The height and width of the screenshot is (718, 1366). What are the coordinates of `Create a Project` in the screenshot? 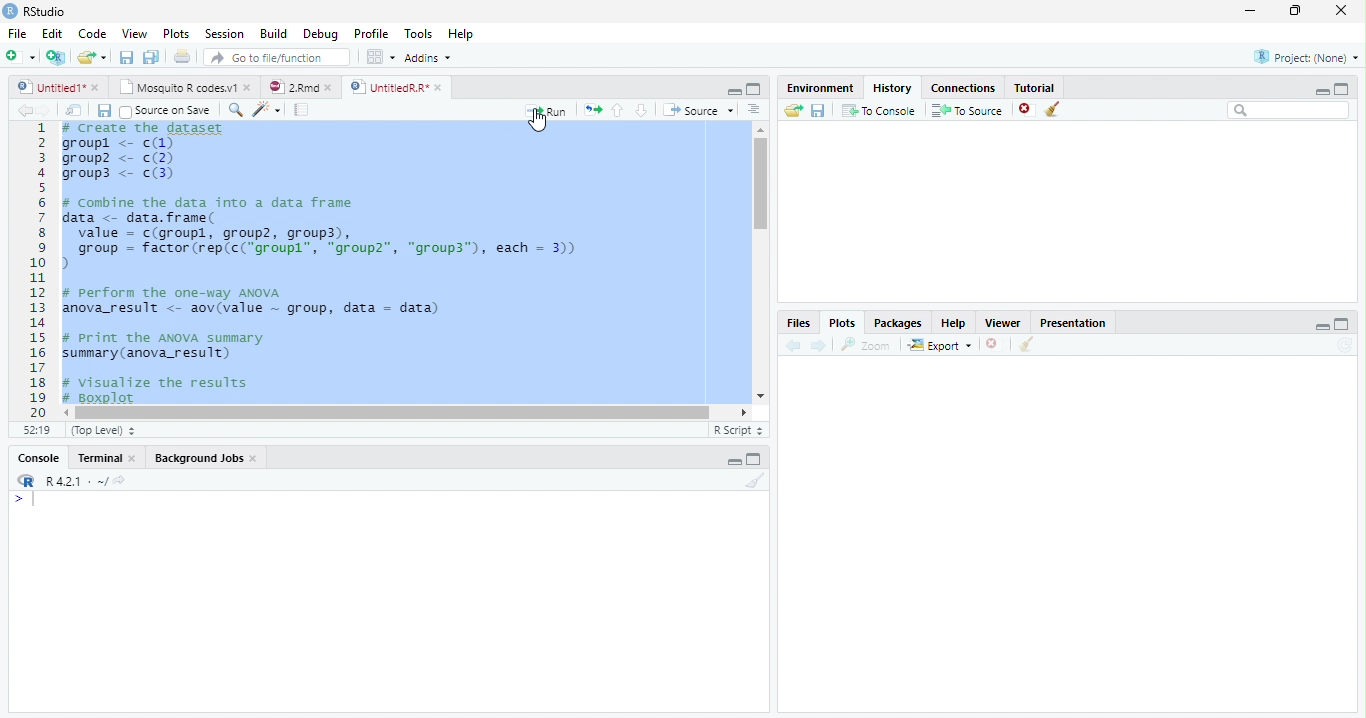 It's located at (56, 57).